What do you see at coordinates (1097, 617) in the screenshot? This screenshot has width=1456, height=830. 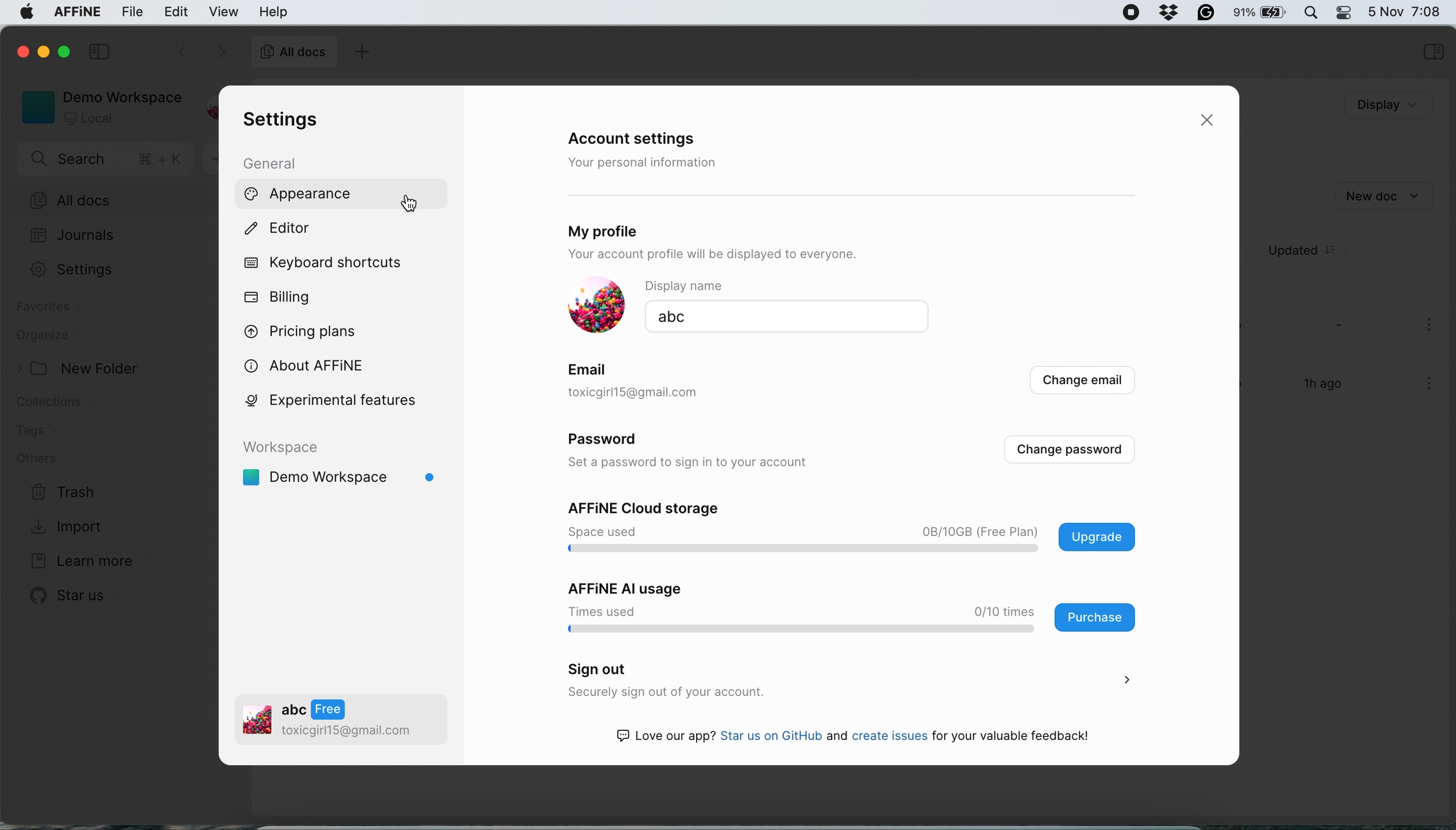 I see `( Purchase )` at bounding box center [1097, 617].